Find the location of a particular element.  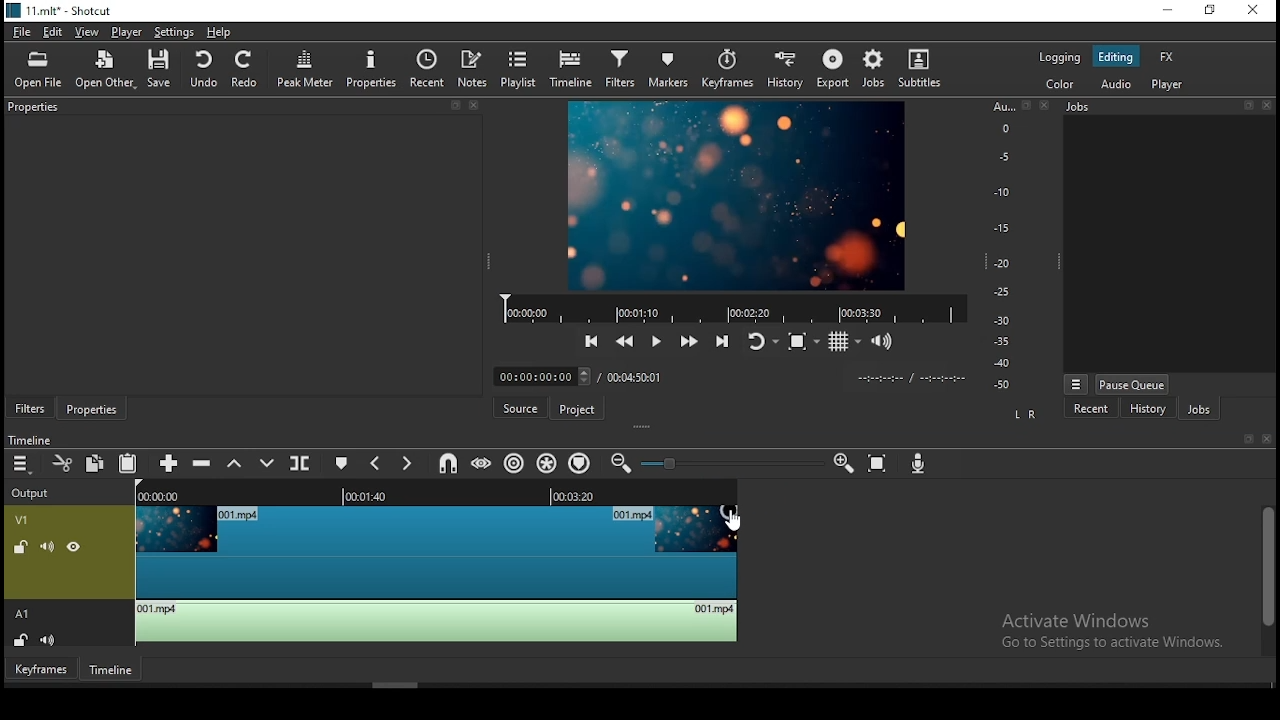

help is located at coordinates (223, 32).